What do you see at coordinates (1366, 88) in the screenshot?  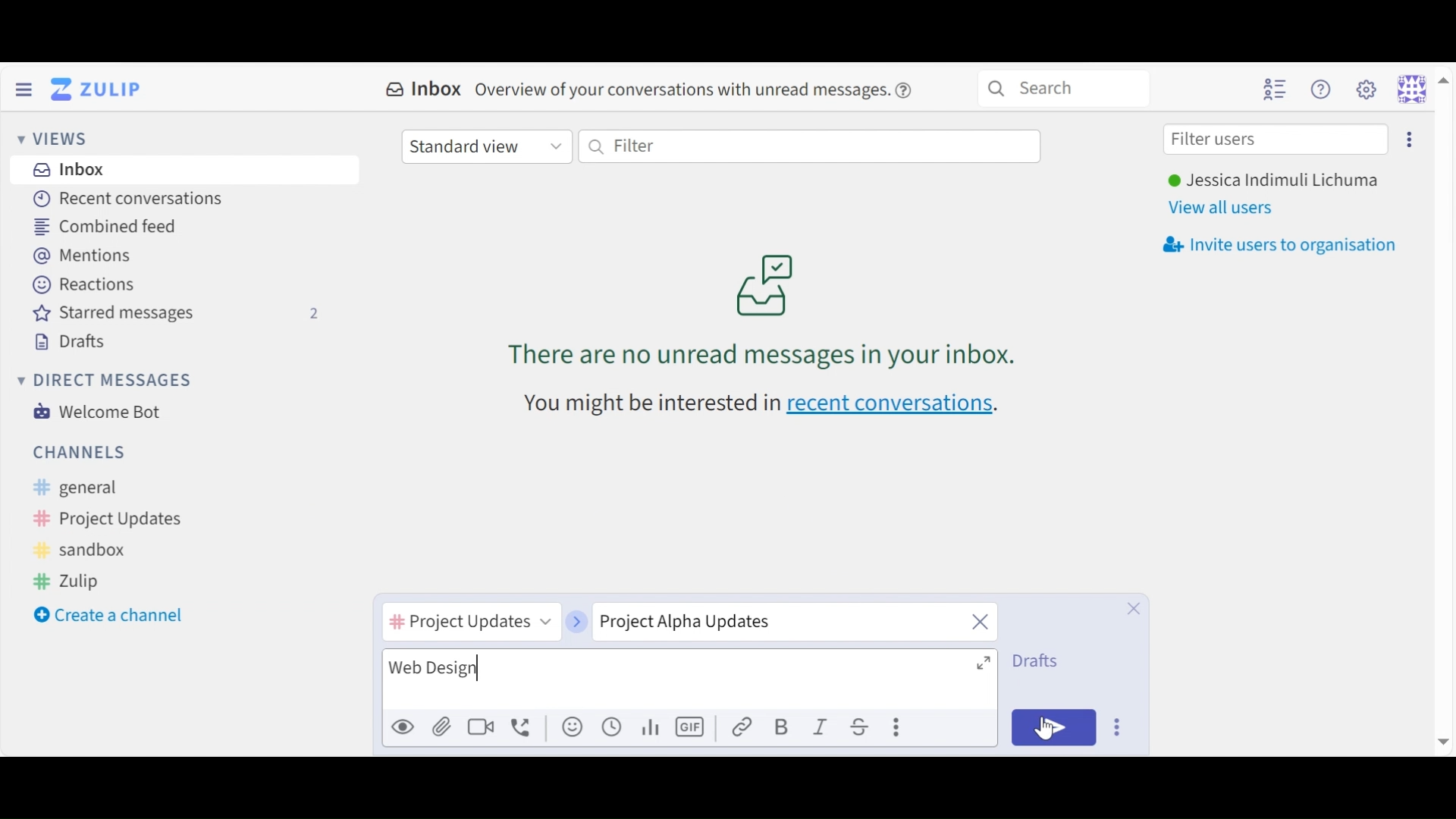 I see `Settings menu` at bounding box center [1366, 88].